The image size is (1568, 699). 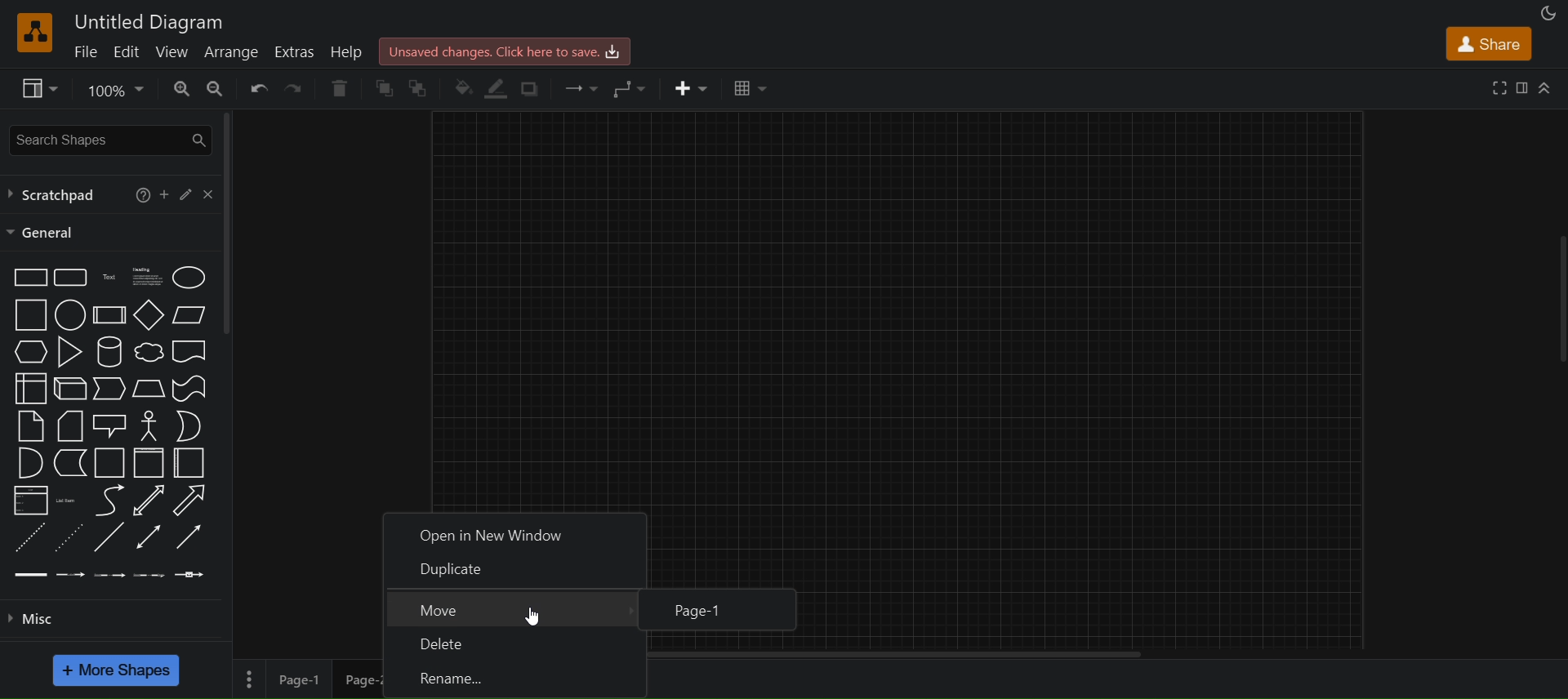 What do you see at coordinates (190, 351) in the screenshot?
I see `document` at bounding box center [190, 351].